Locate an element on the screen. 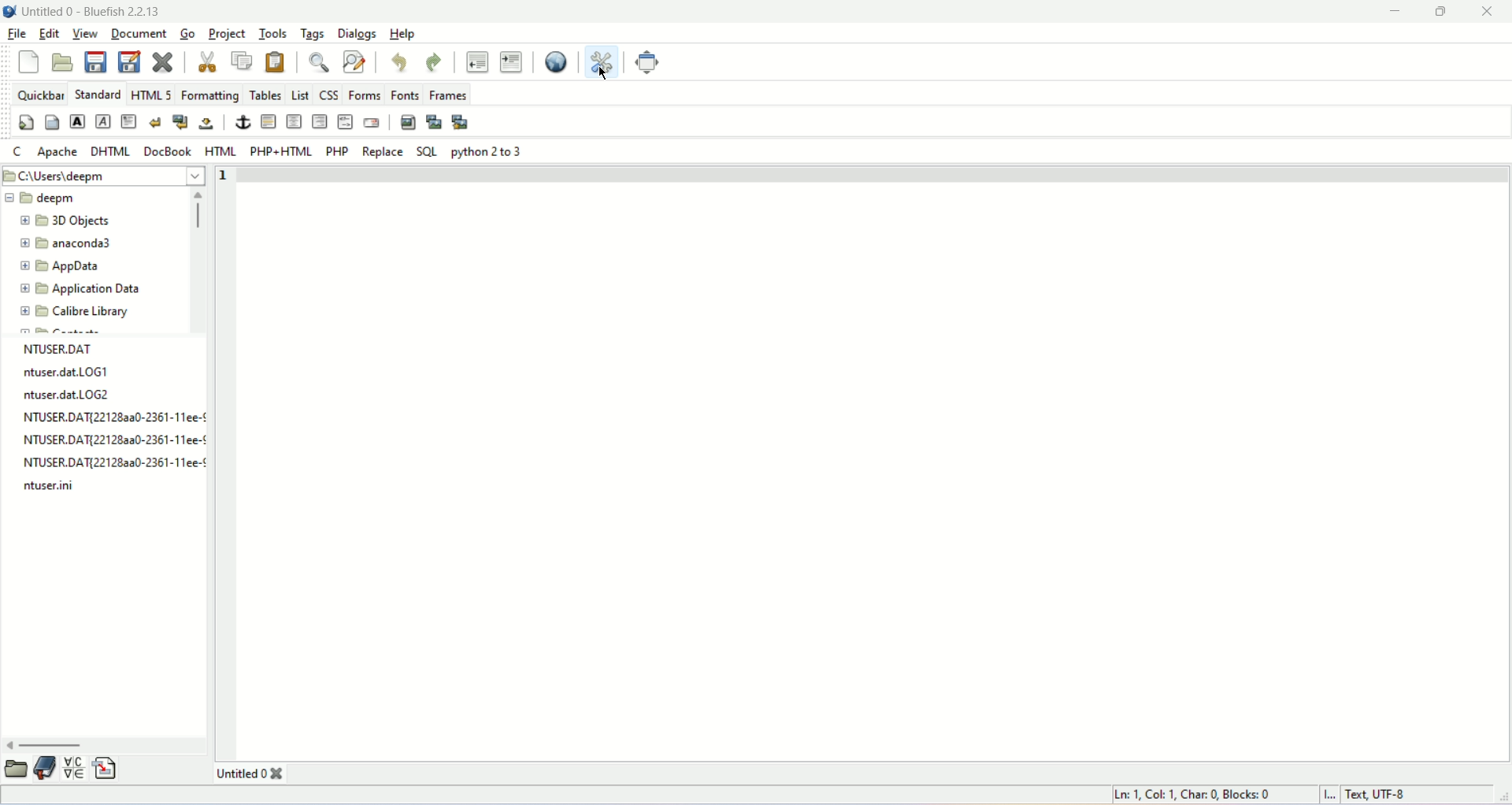 The image size is (1512, 805). body is located at coordinates (53, 121).